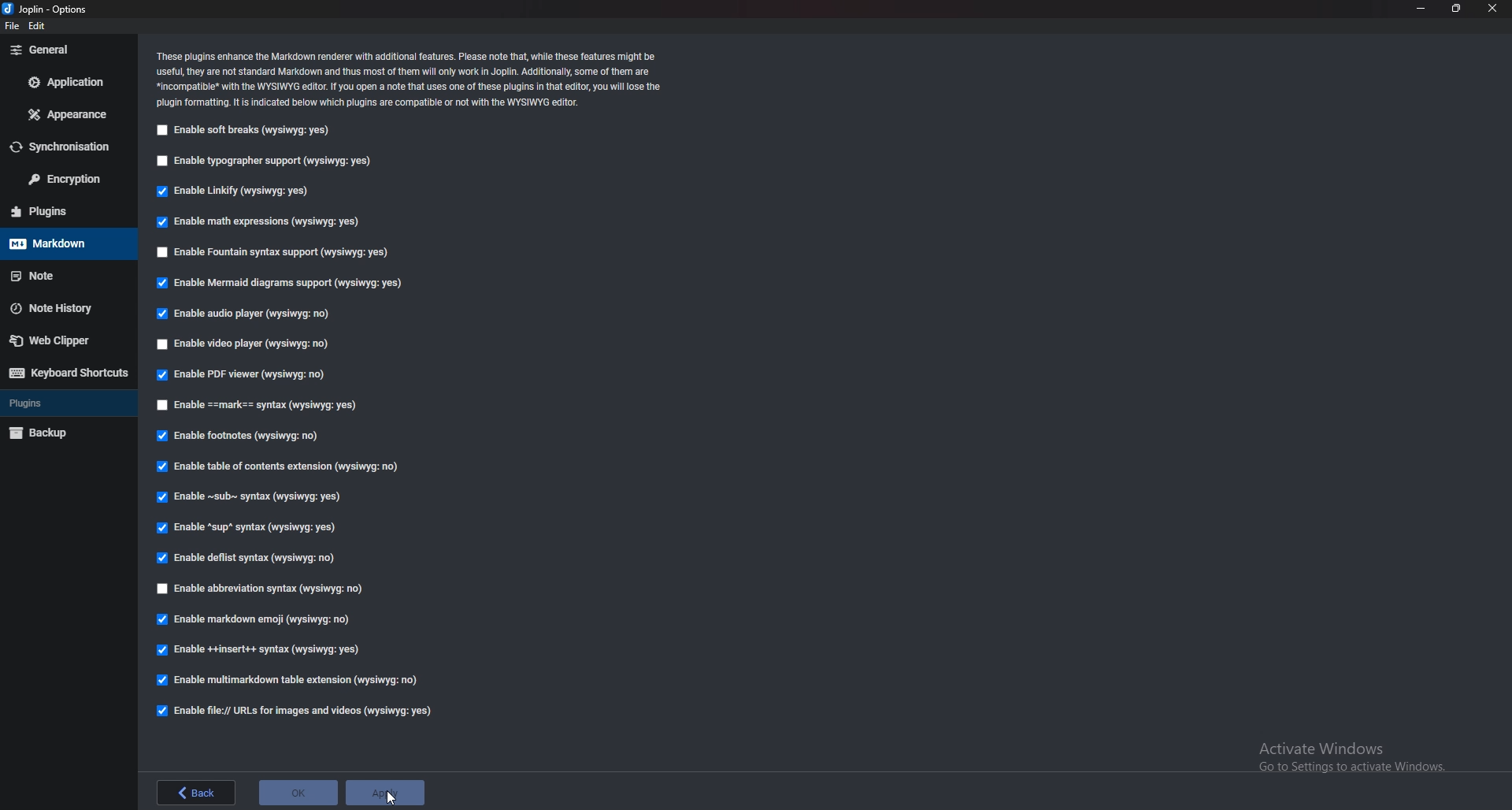 The width and height of the screenshot is (1512, 810). I want to click on enable multi markdown table extension, so click(290, 678).